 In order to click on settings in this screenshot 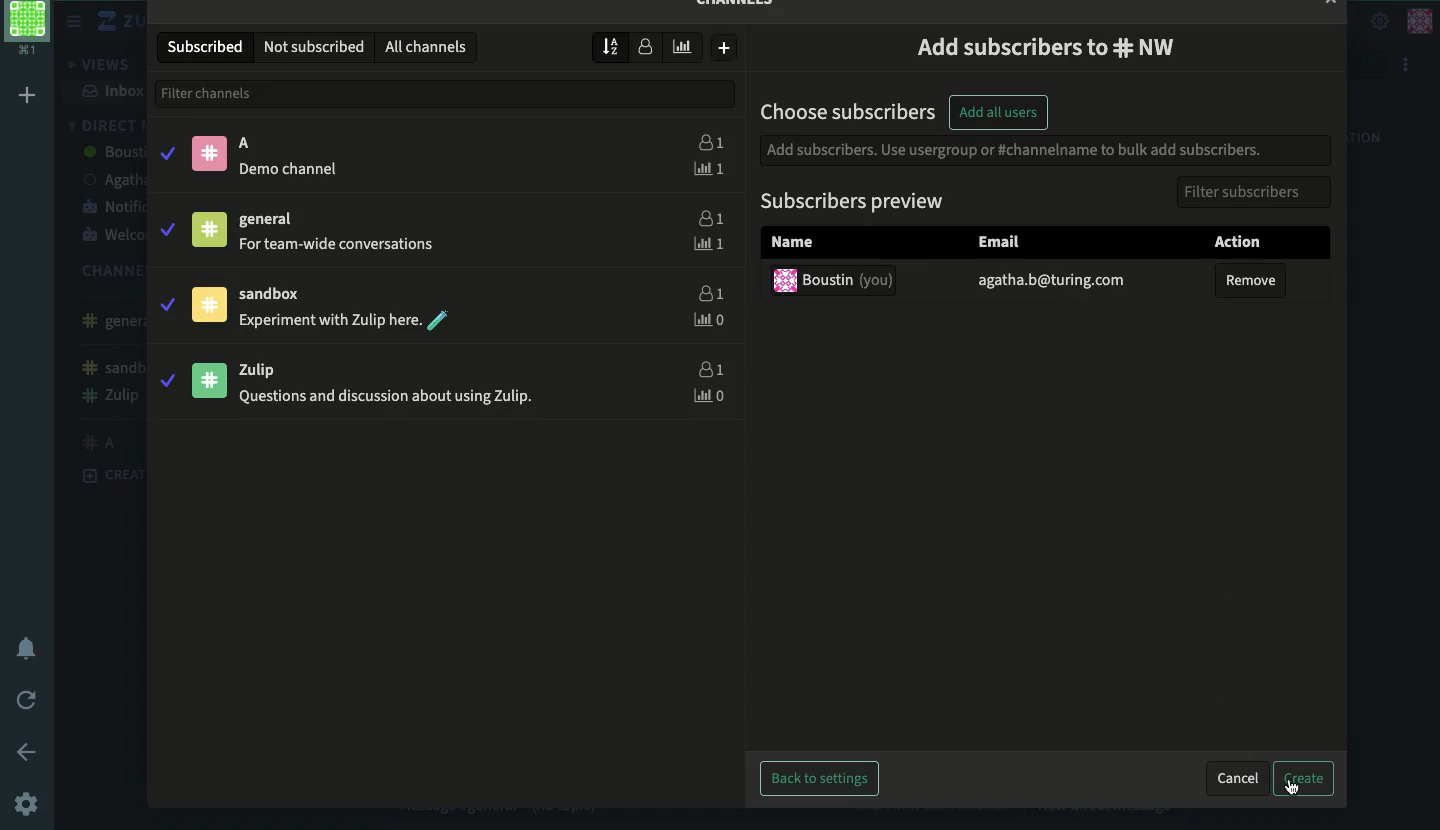, I will do `click(27, 803)`.